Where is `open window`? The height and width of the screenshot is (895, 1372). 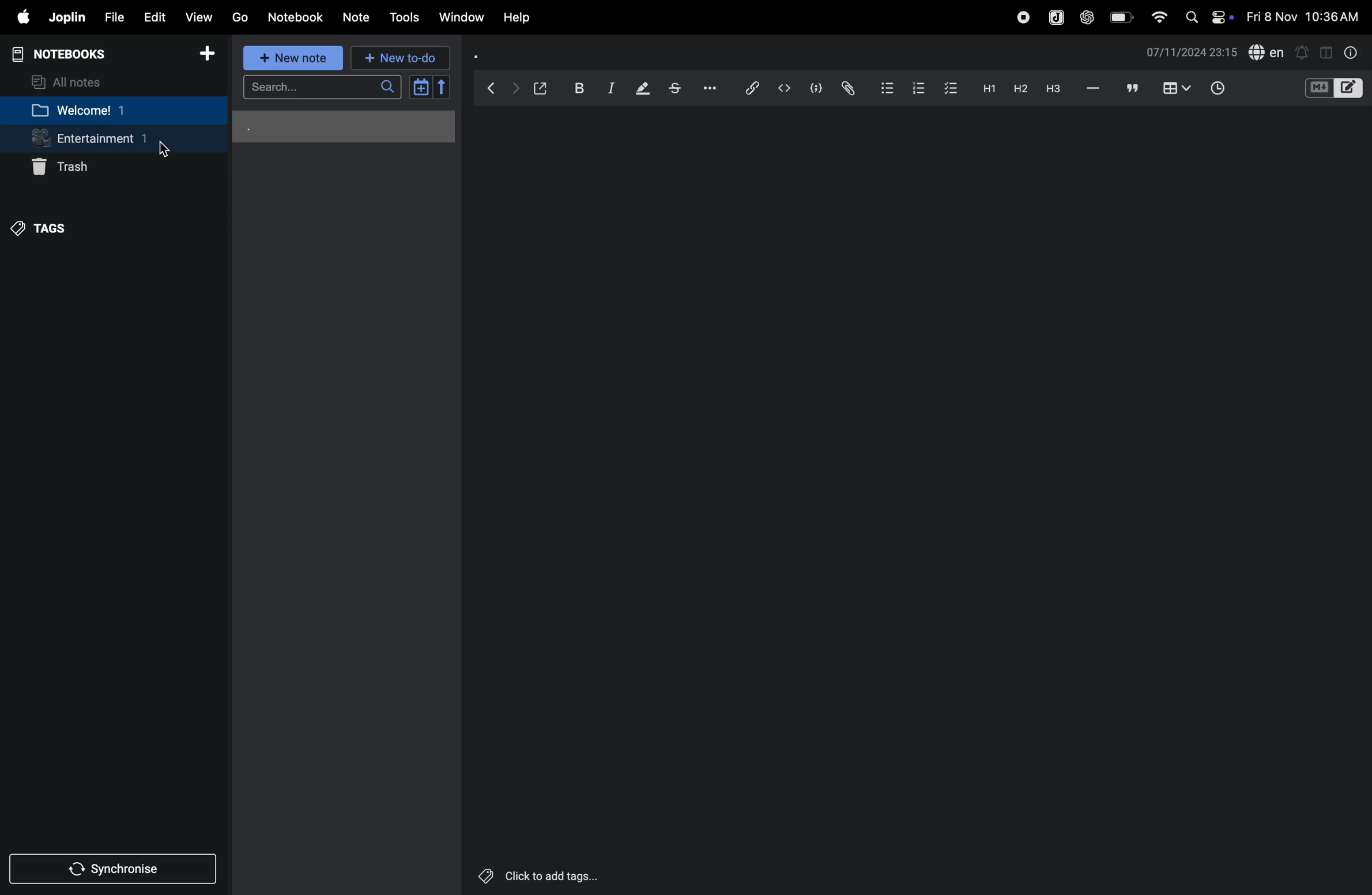
open window is located at coordinates (543, 88).